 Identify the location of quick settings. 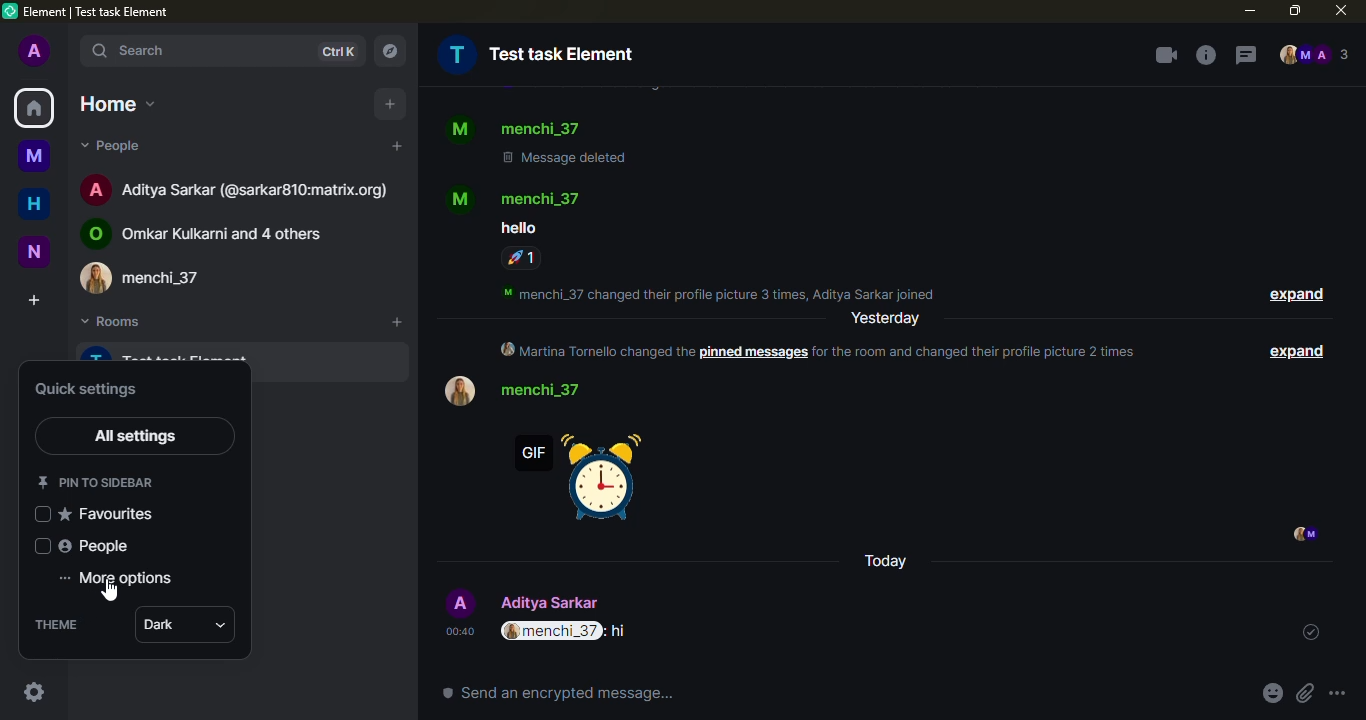
(34, 692).